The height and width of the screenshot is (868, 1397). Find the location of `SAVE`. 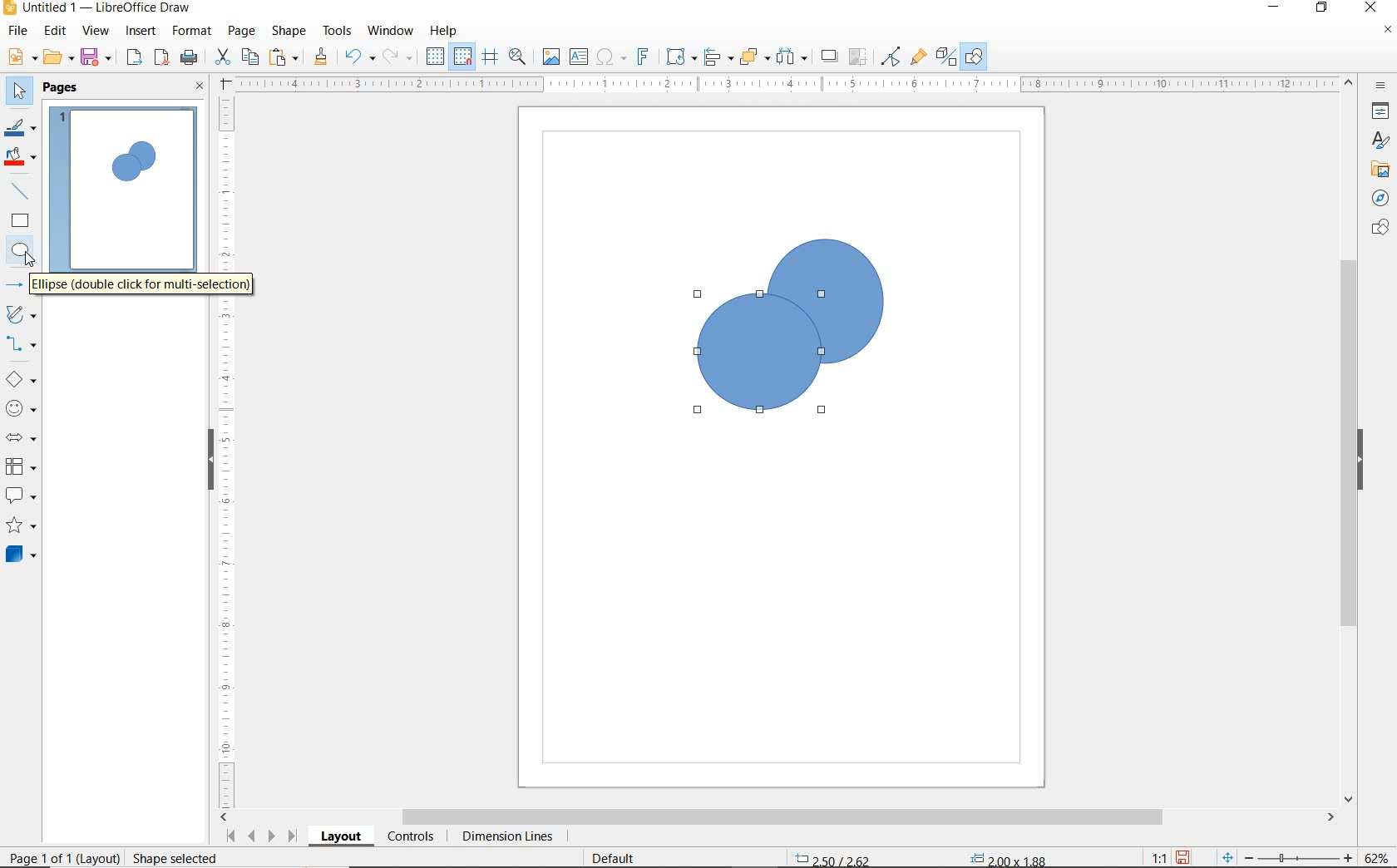

SAVE is located at coordinates (1185, 856).